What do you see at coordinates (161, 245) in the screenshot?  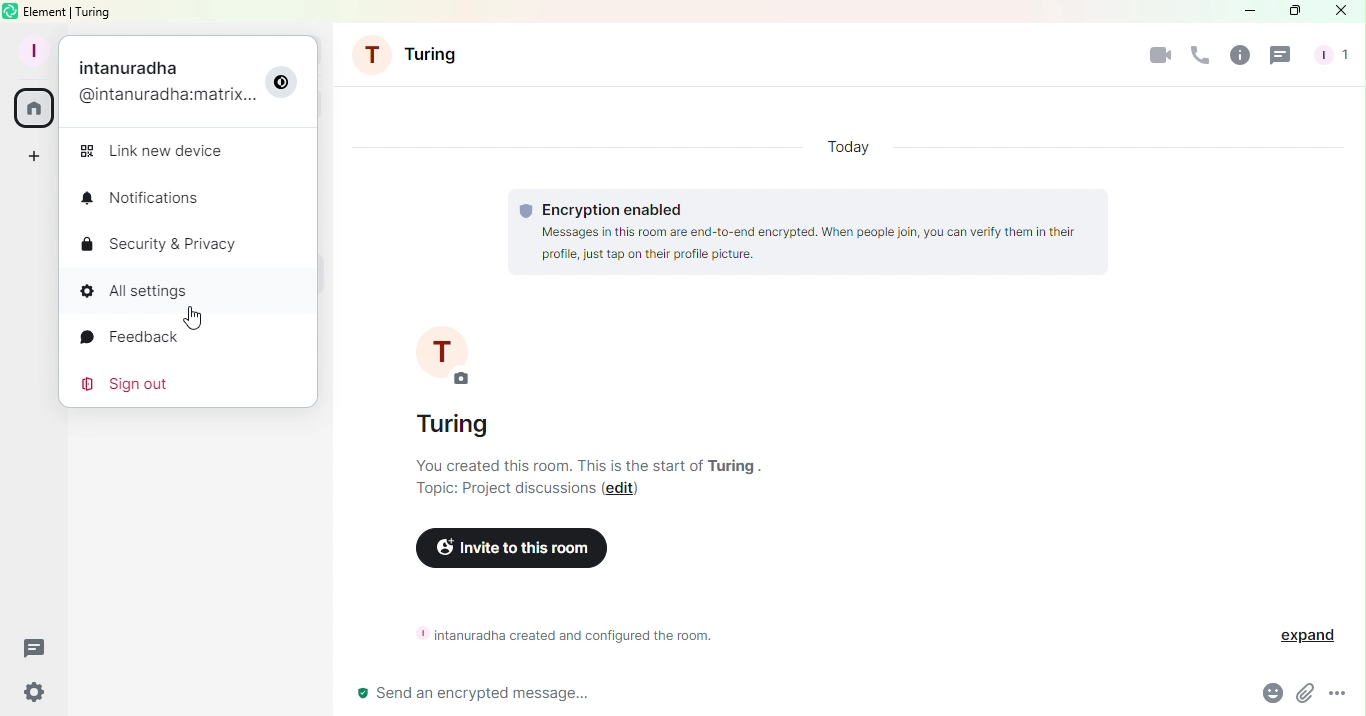 I see `Security and Privacy` at bounding box center [161, 245].